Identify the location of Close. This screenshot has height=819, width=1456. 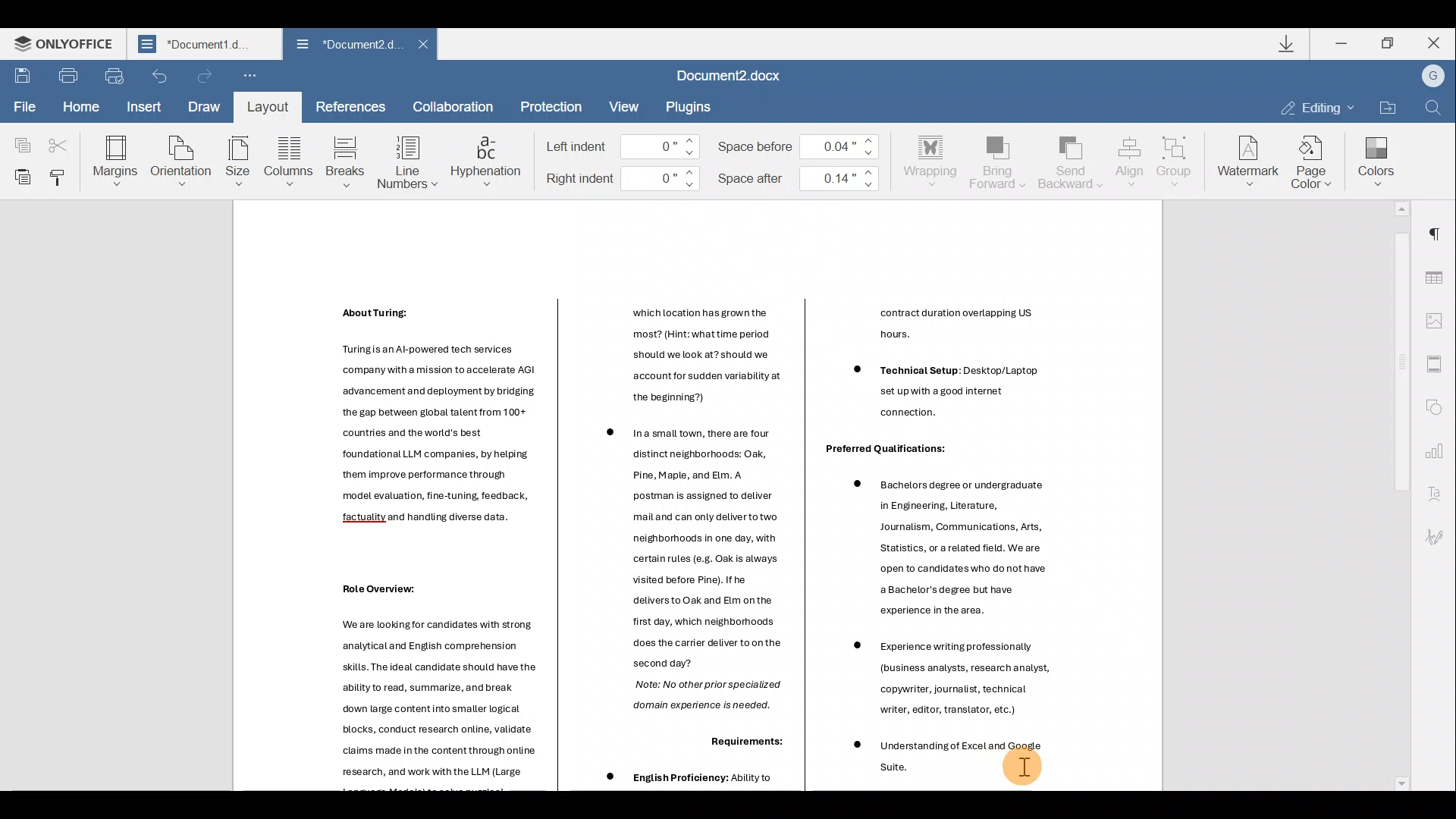
(1434, 42).